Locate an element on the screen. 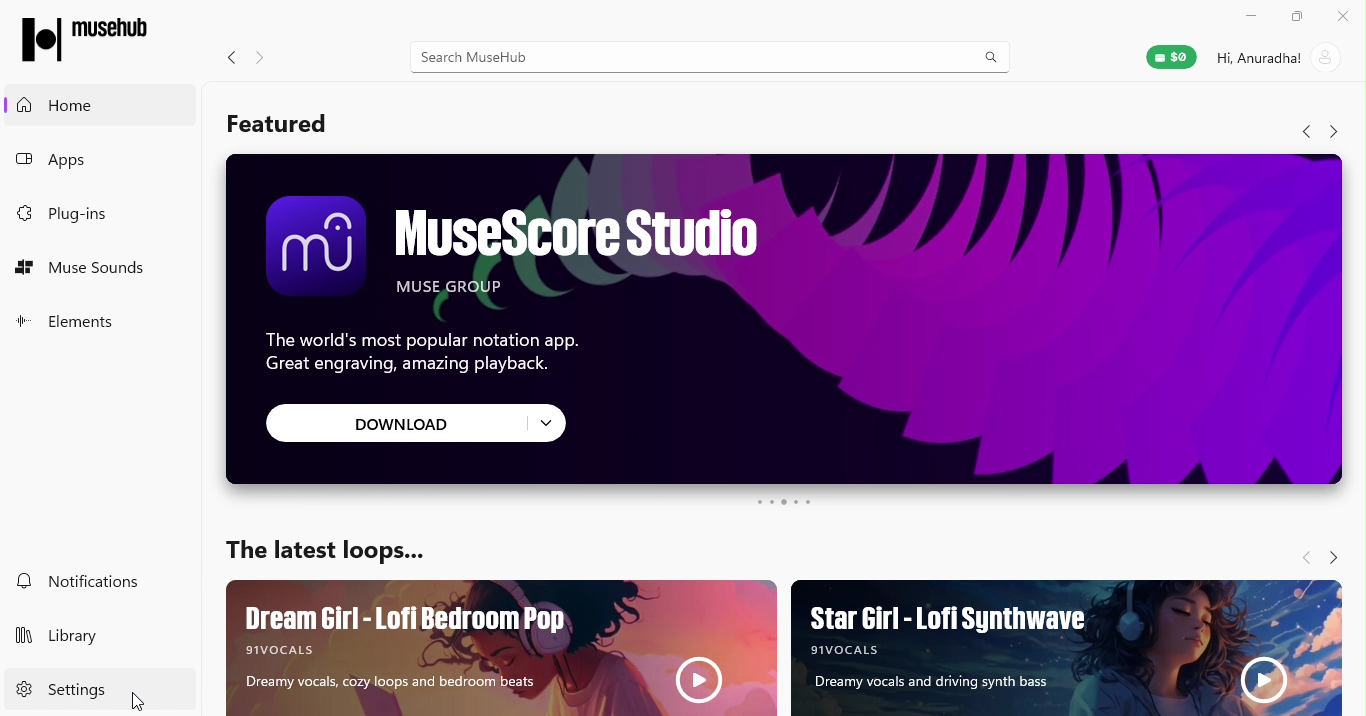 The image size is (1366, 716). Account is located at coordinates (1274, 59).